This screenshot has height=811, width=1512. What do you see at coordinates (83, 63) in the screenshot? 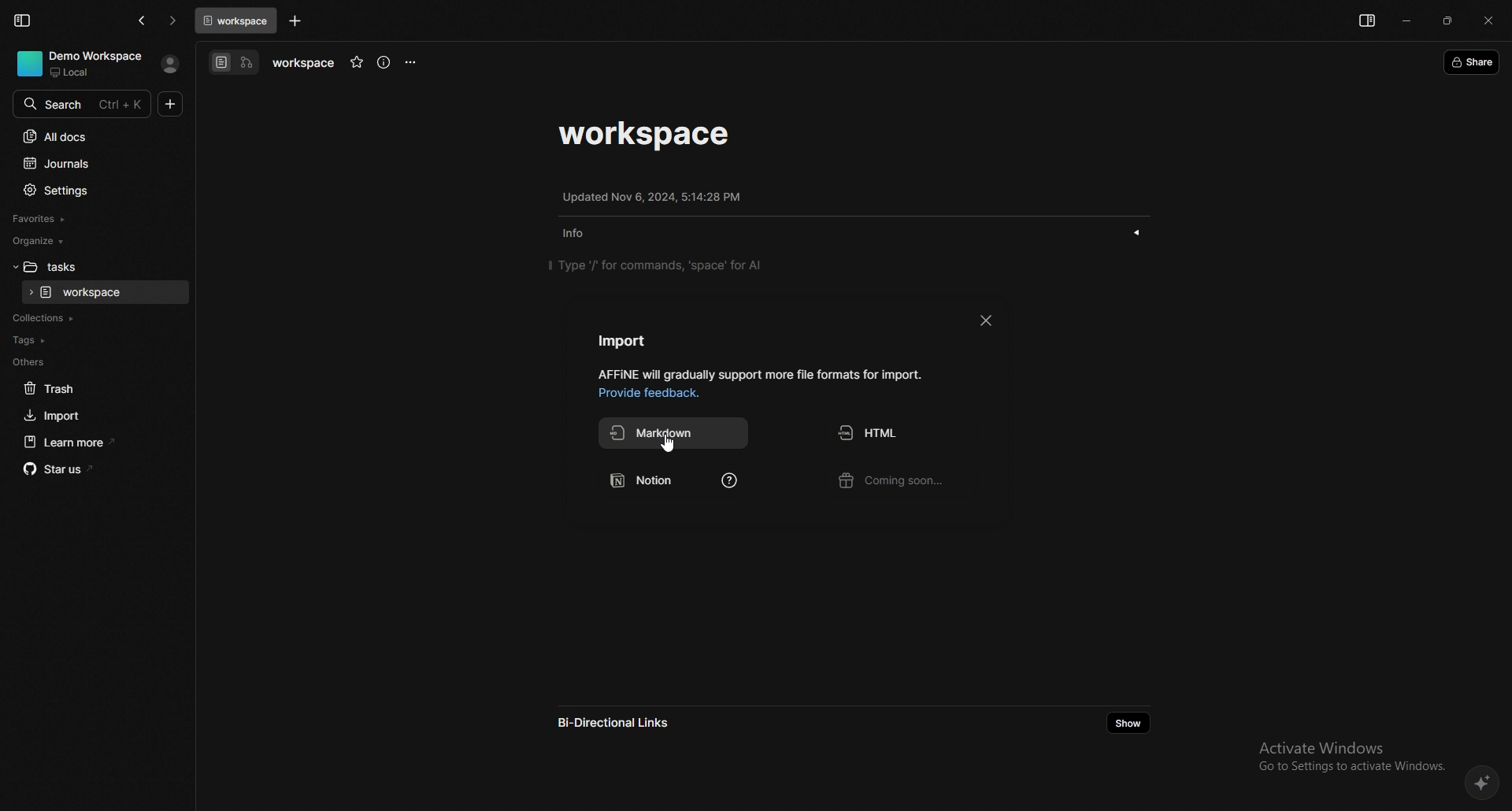
I see `demo workspace` at bounding box center [83, 63].